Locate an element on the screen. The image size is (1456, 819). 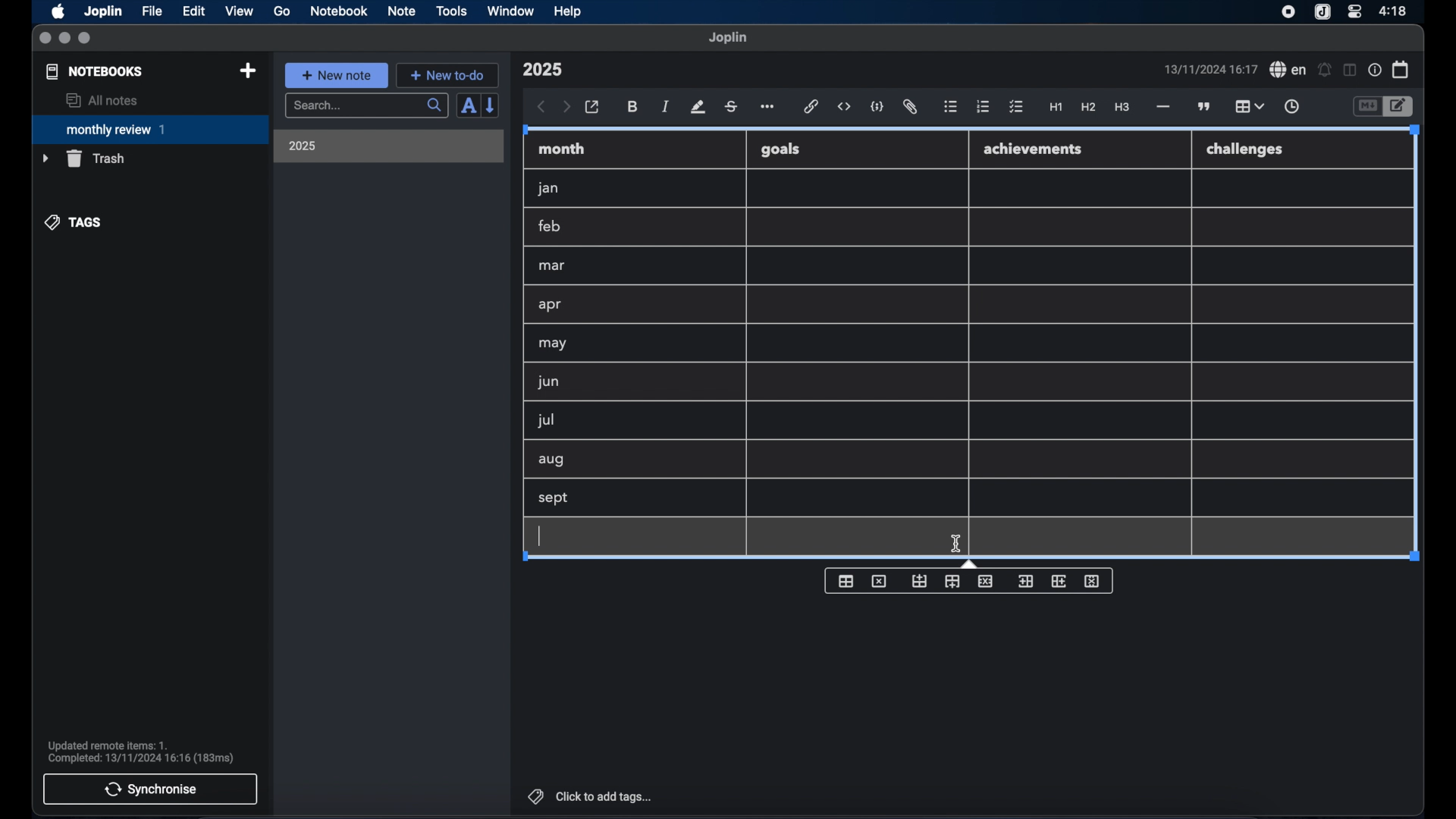
table highlighted is located at coordinates (1247, 106).